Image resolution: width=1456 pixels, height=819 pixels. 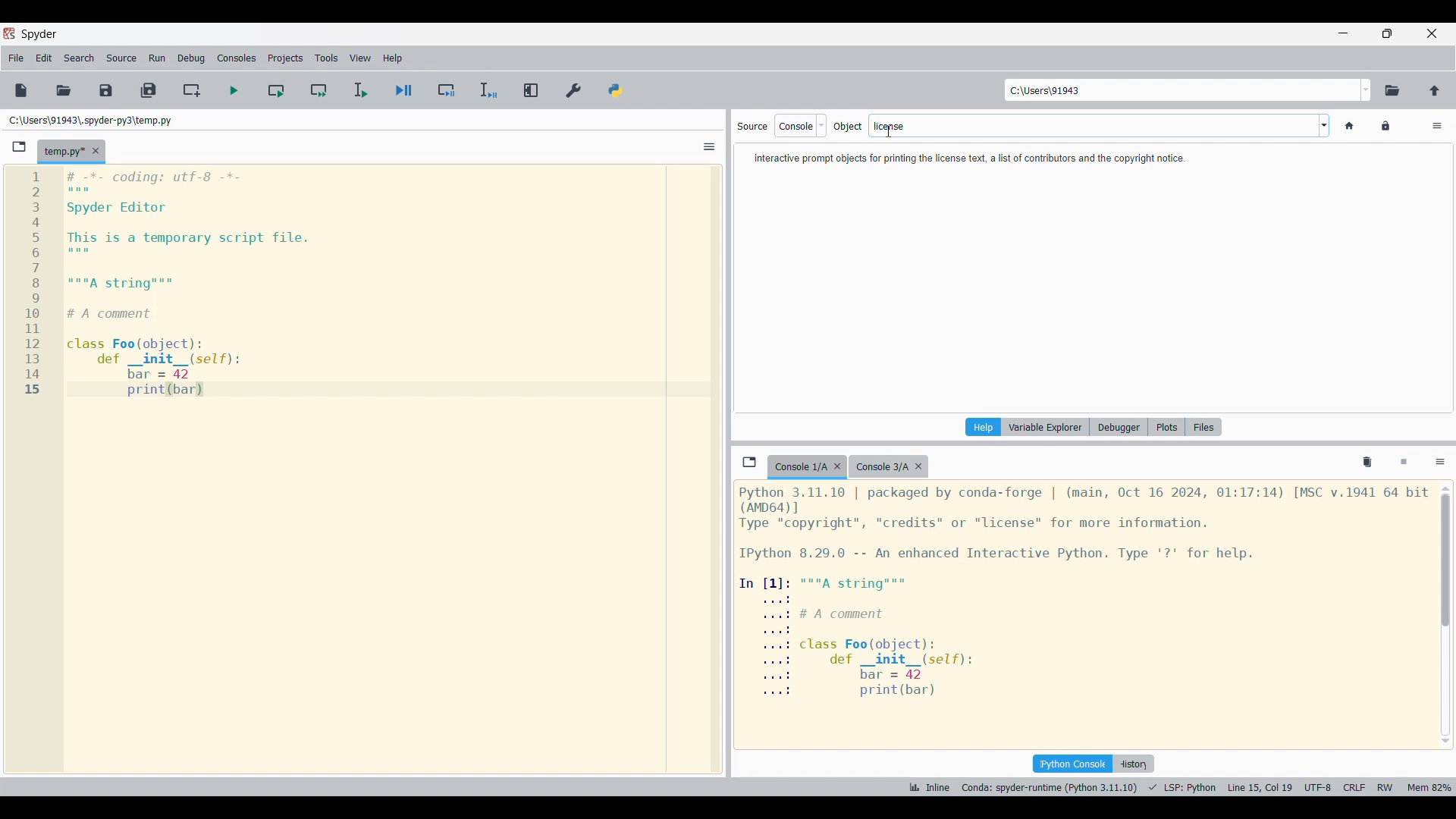 What do you see at coordinates (40, 33) in the screenshot?
I see `Software logo` at bounding box center [40, 33].